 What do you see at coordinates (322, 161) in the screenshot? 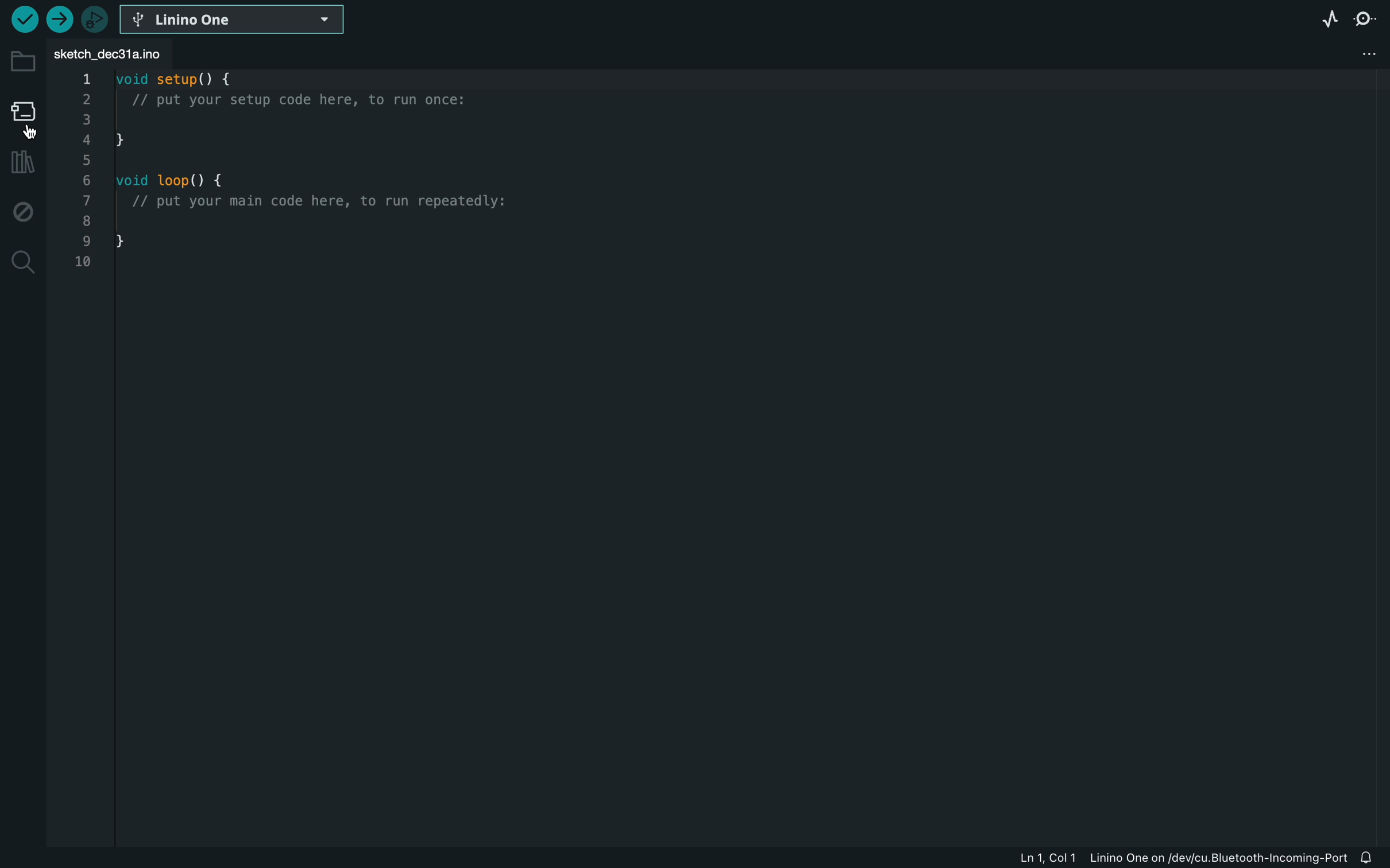
I see `code block` at bounding box center [322, 161].